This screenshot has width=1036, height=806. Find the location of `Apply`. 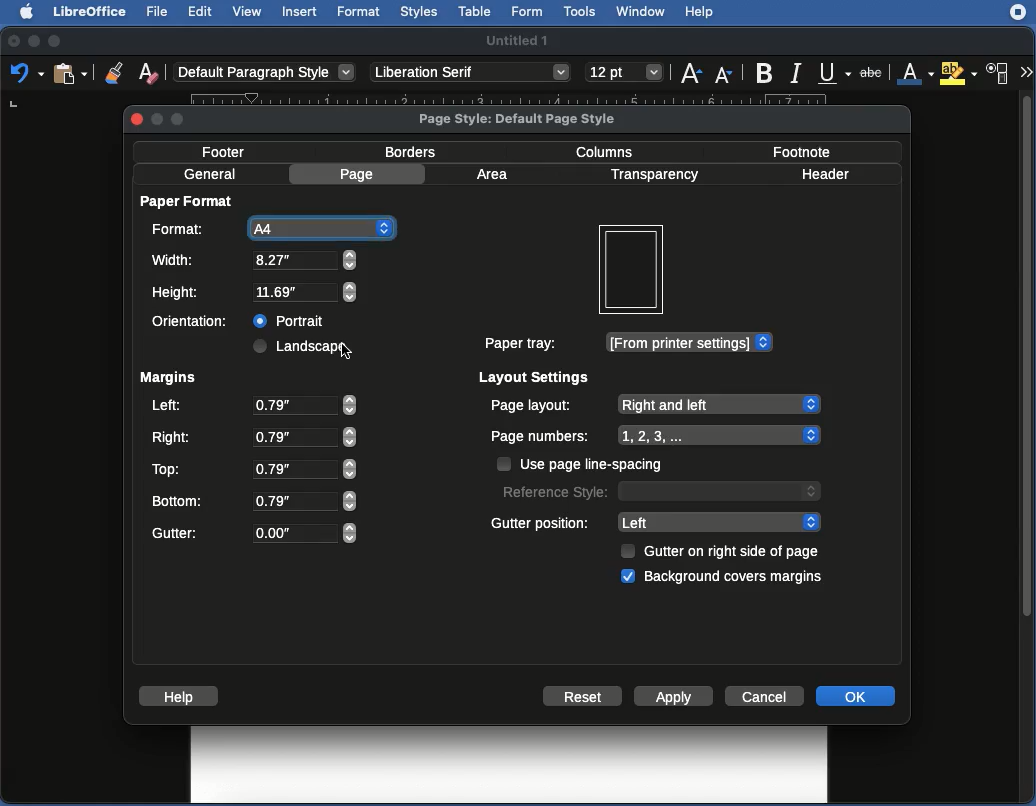

Apply is located at coordinates (675, 696).